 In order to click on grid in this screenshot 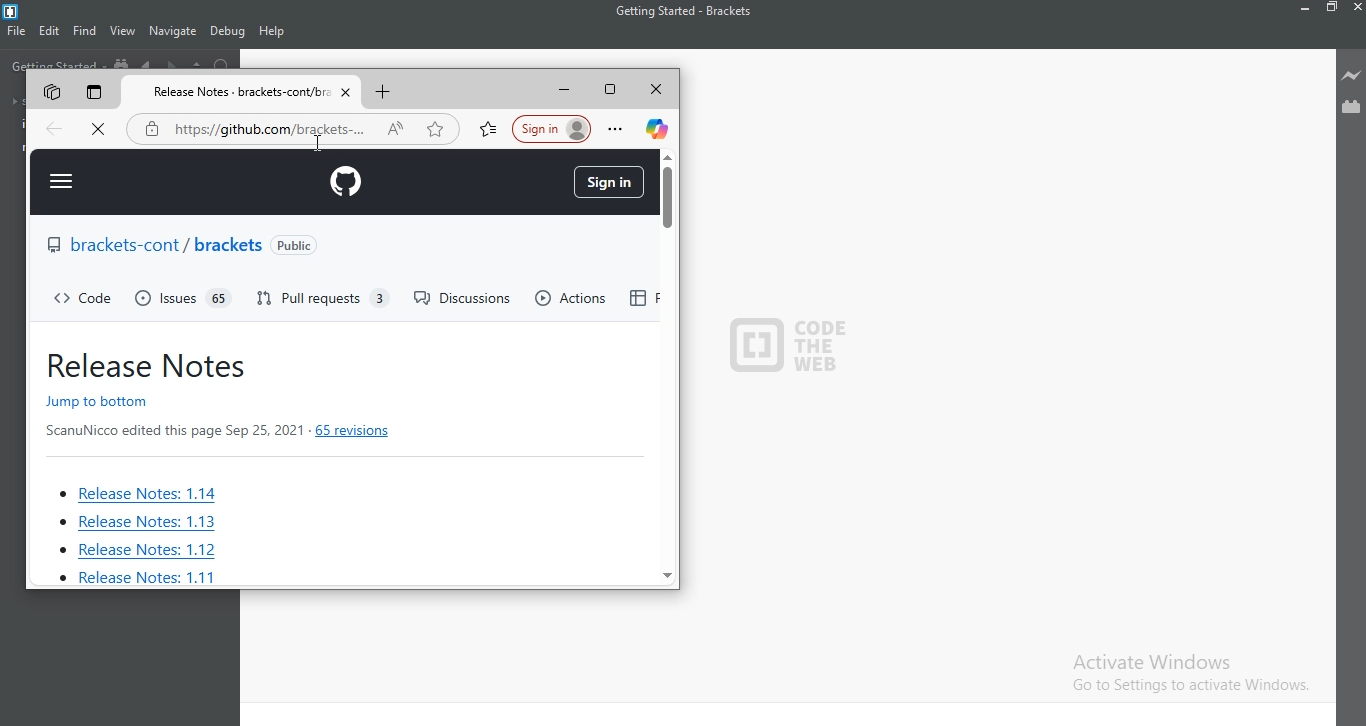, I will do `click(637, 300)`.